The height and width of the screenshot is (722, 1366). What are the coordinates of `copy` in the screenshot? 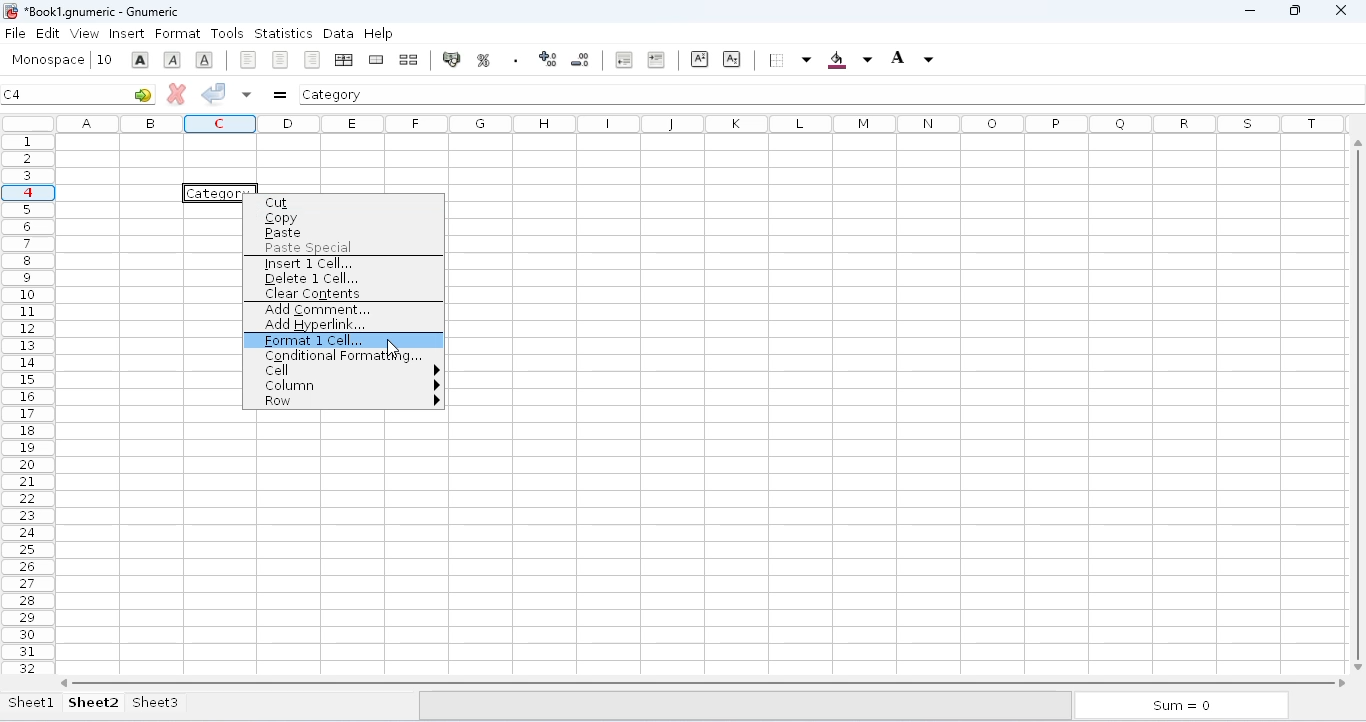 It's located at (297, 219).